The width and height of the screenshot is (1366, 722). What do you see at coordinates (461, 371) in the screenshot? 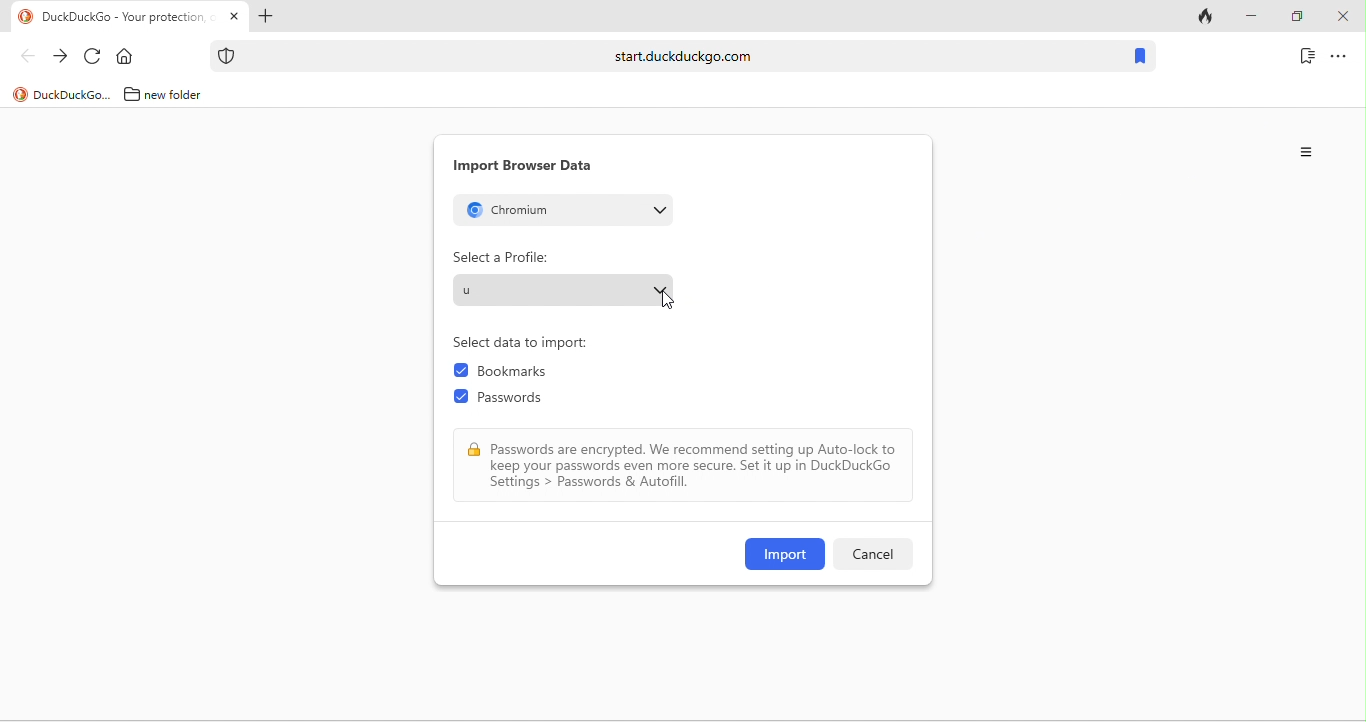
I see `checked checkbox` at bounding box center [461, 371].